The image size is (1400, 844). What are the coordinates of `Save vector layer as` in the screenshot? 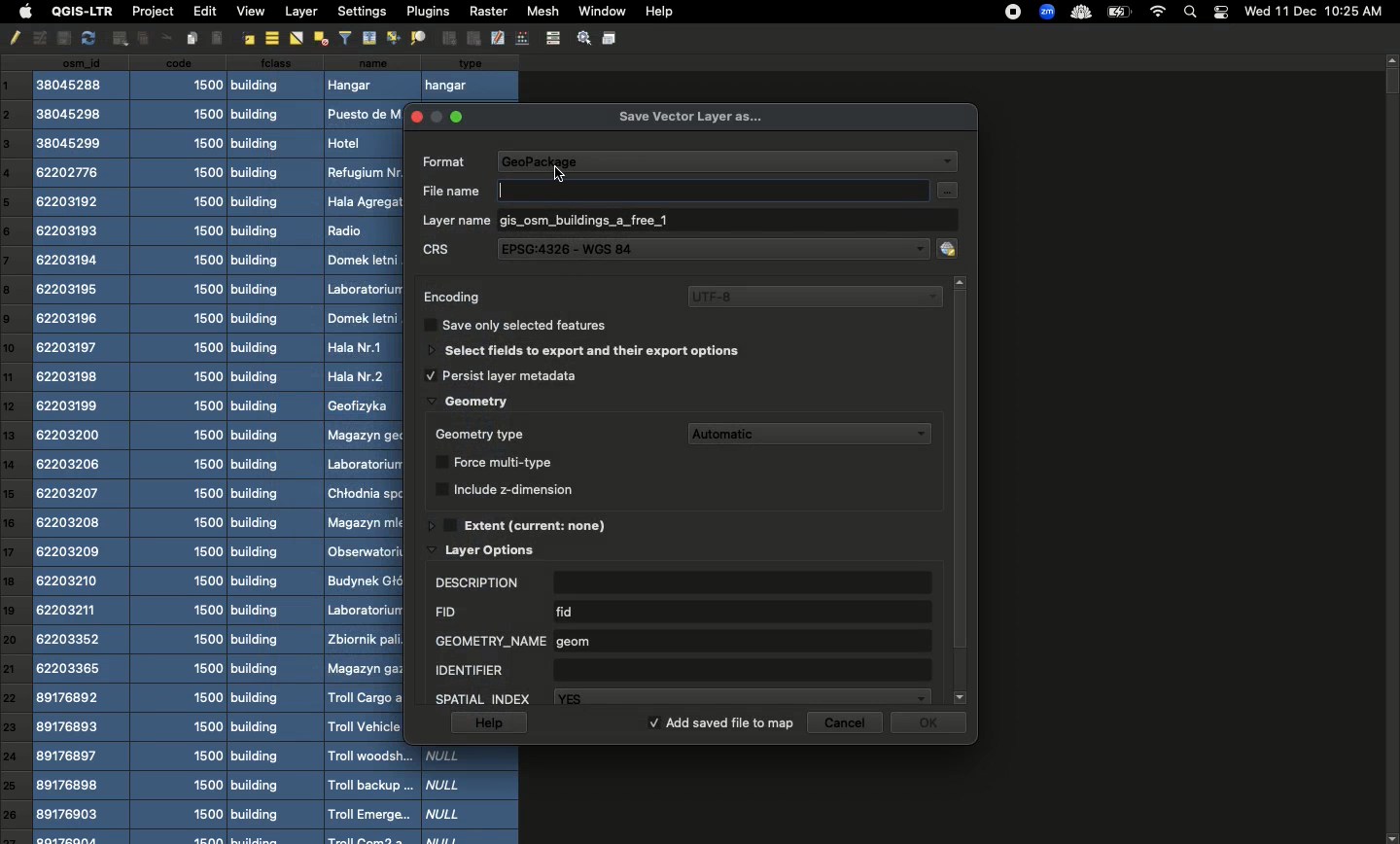 It's located at (693, 117).